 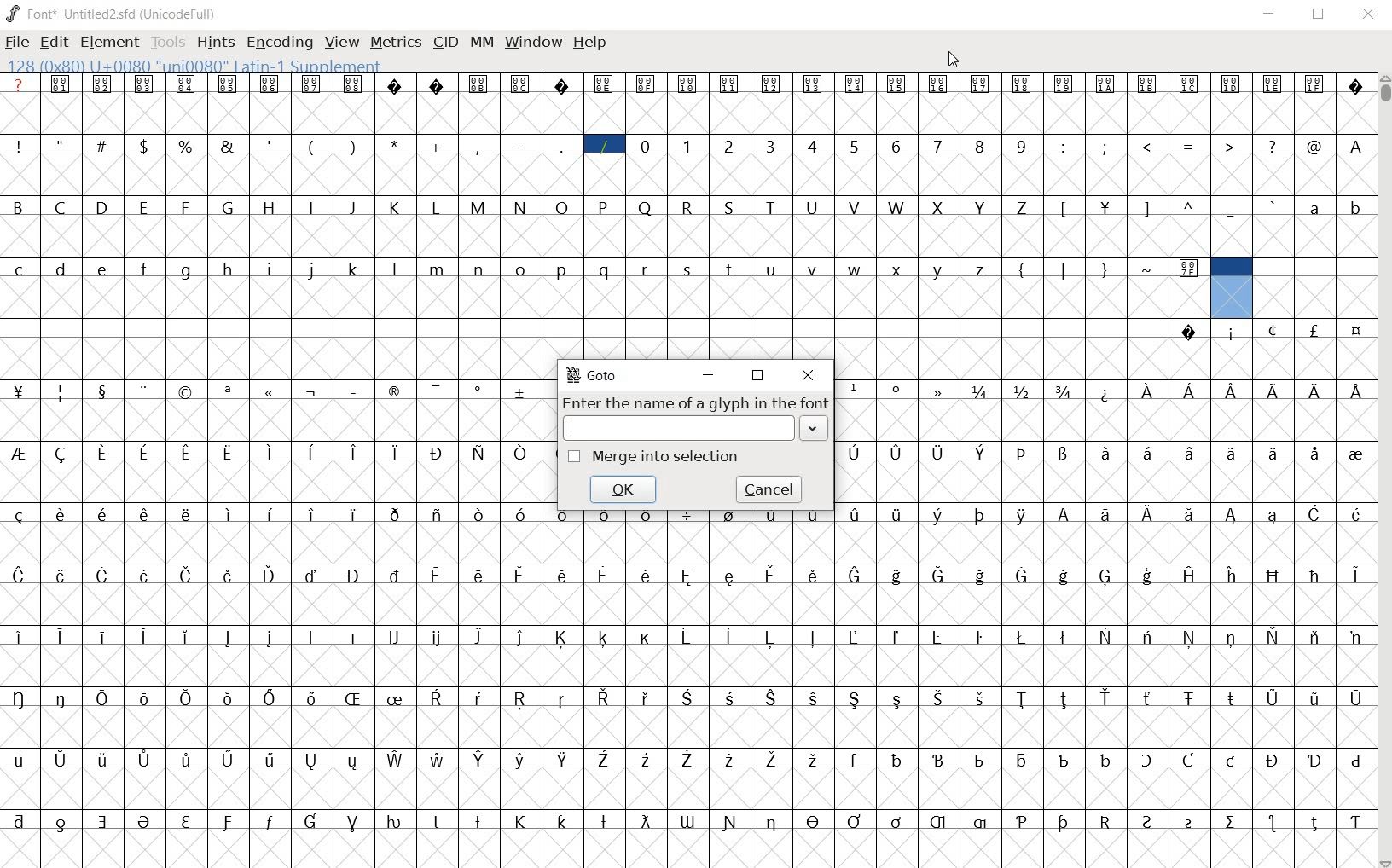 I want to click on Symbol, so click(x=312, y=635).